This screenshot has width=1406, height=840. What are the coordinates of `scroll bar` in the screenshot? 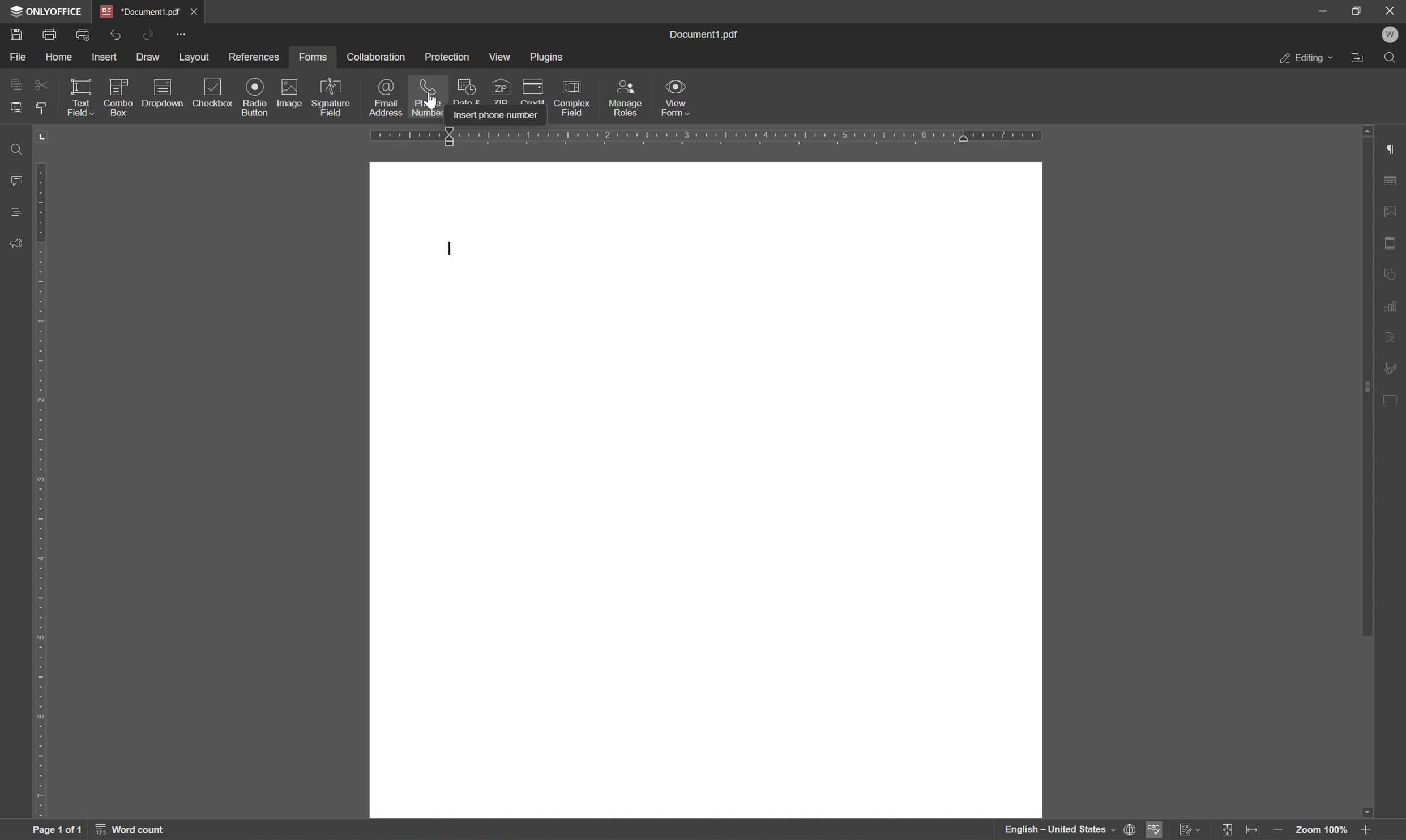 It's located at (1366, 389).